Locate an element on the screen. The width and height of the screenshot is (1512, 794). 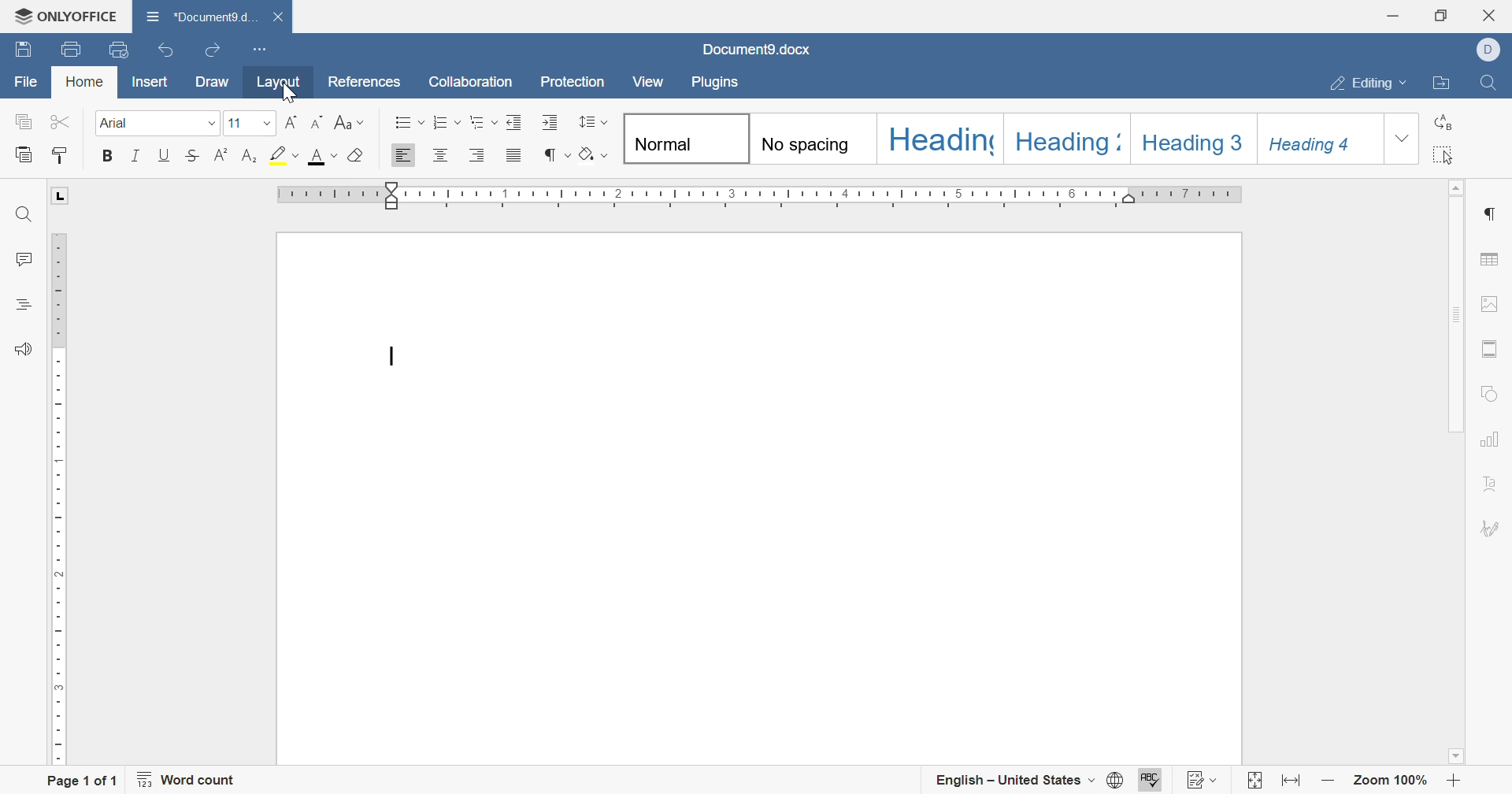
close is located at coordinates (286, 18).